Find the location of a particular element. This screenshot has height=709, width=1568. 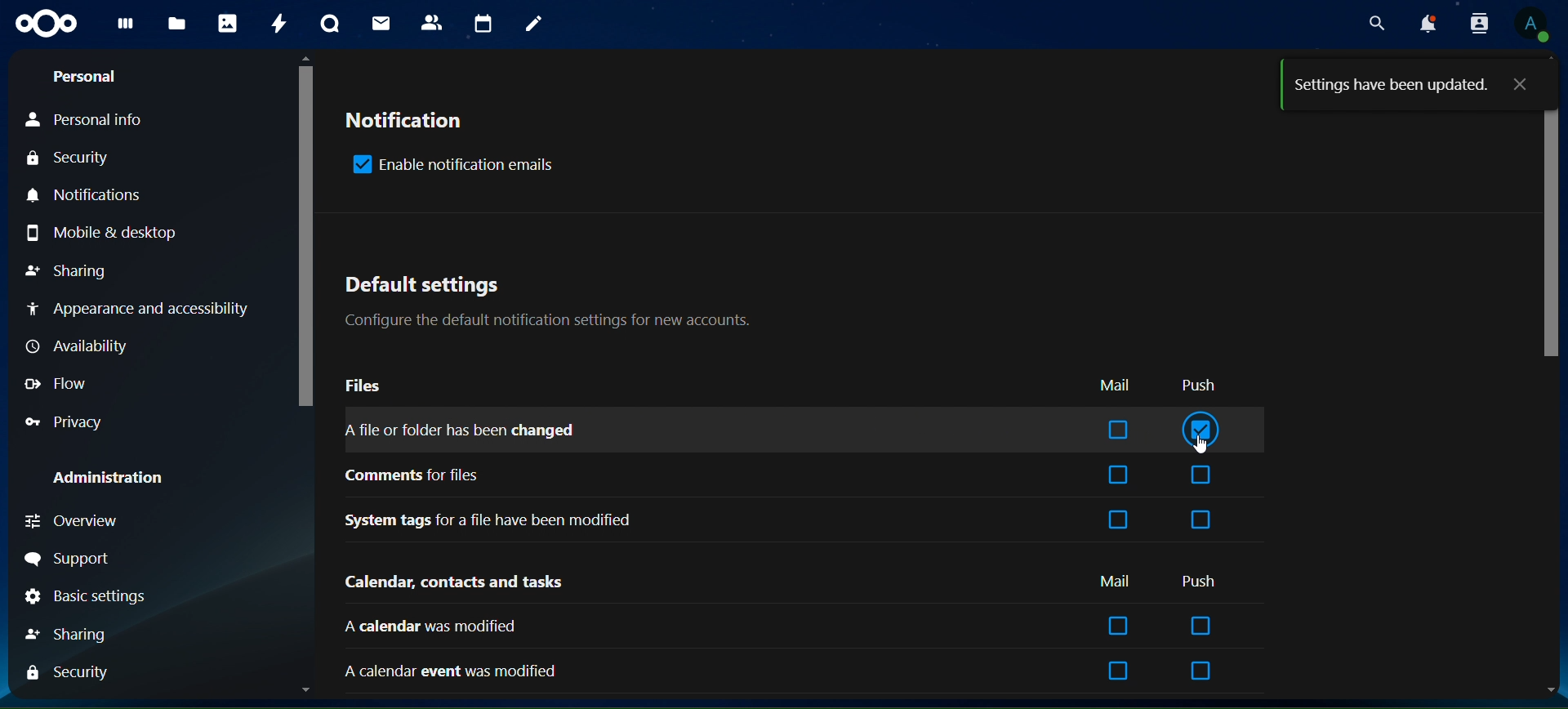

sharing is located at coordinates (73, 635).